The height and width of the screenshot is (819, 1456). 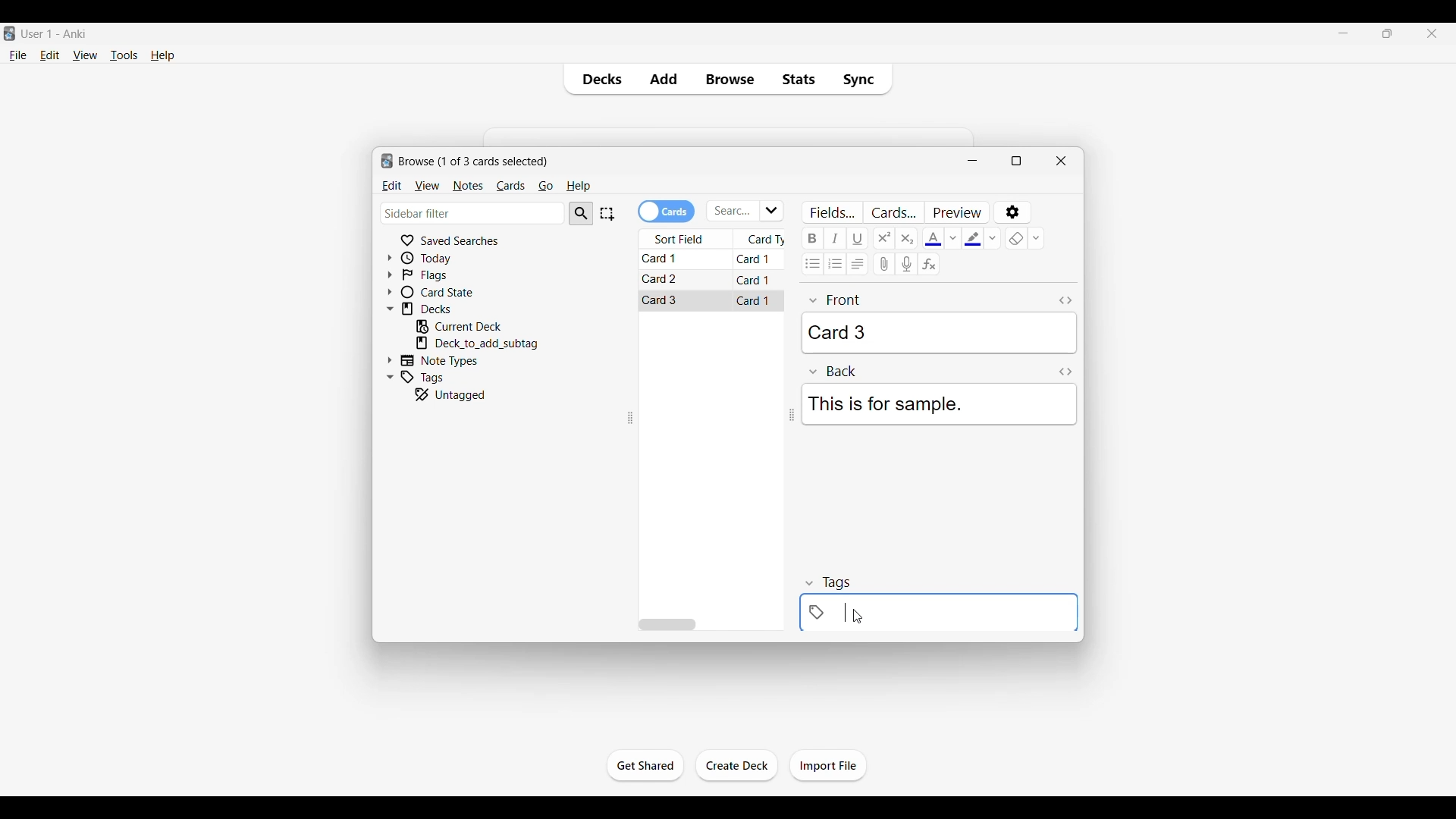 I want to click on Bold text, so click(x=812, y=238).